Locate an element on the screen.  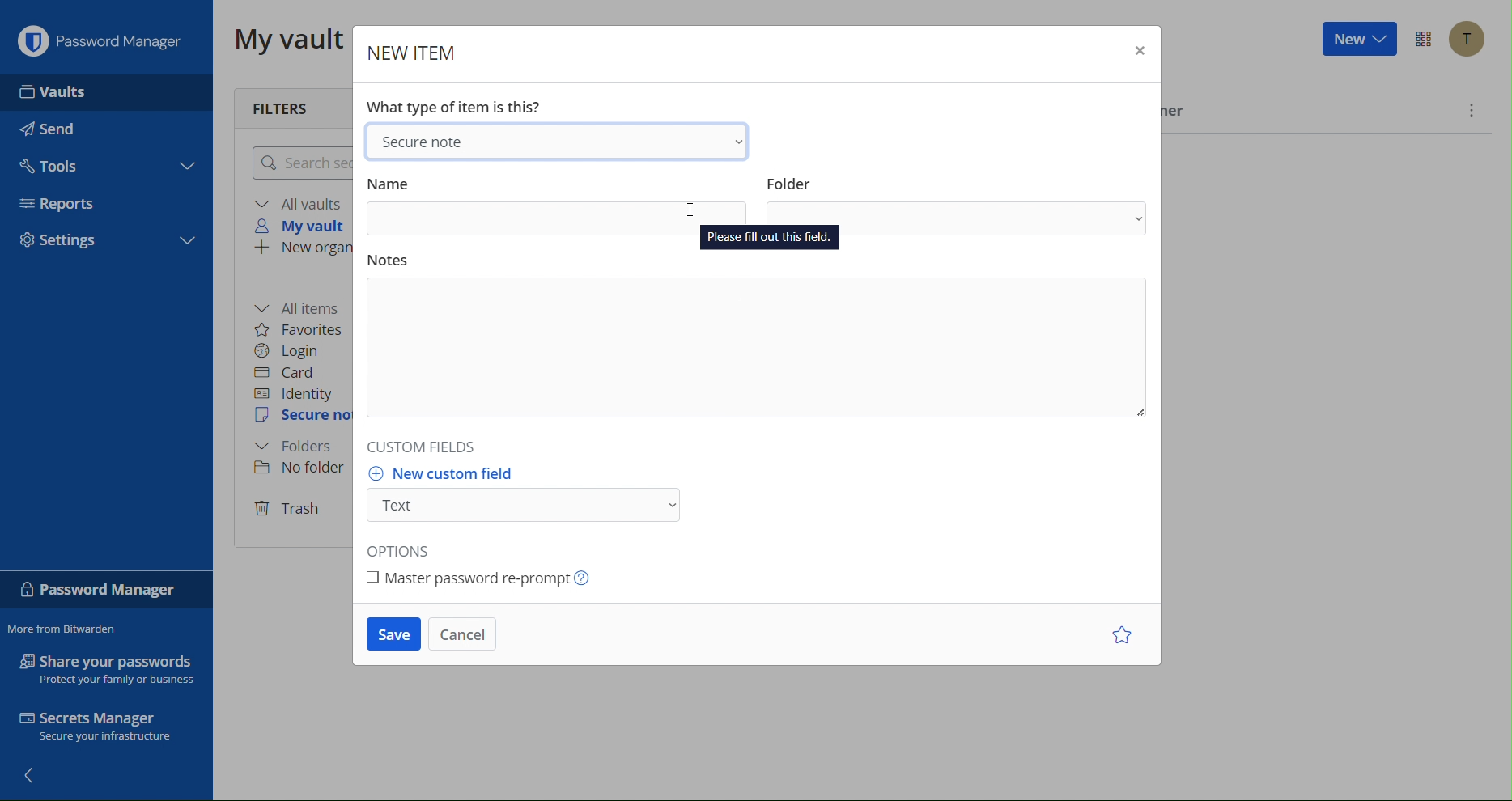
What type of item is this? is located at coordinates (456, 107).